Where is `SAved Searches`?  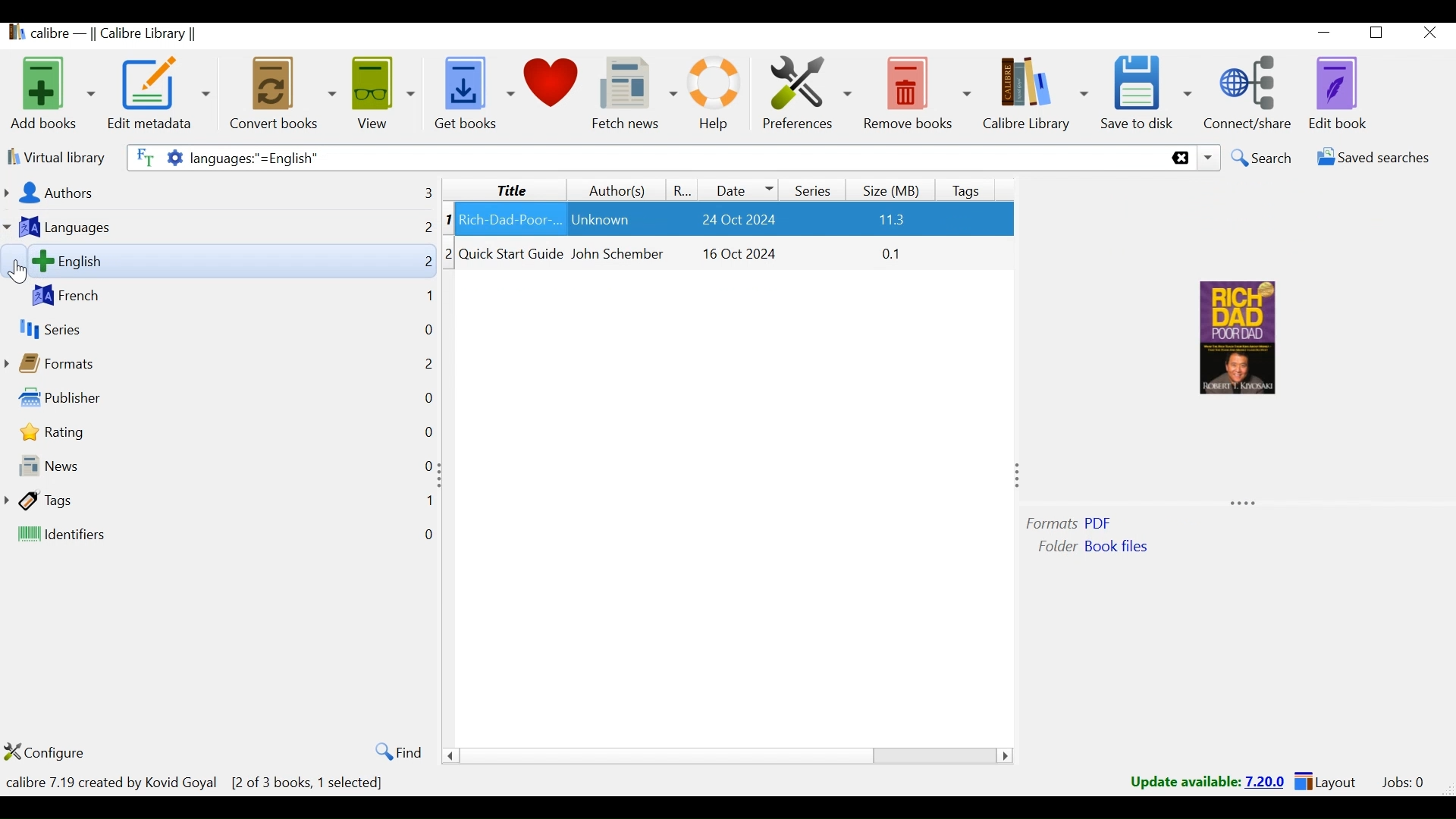 SAved Searches is located at coordinates (1369, 160).